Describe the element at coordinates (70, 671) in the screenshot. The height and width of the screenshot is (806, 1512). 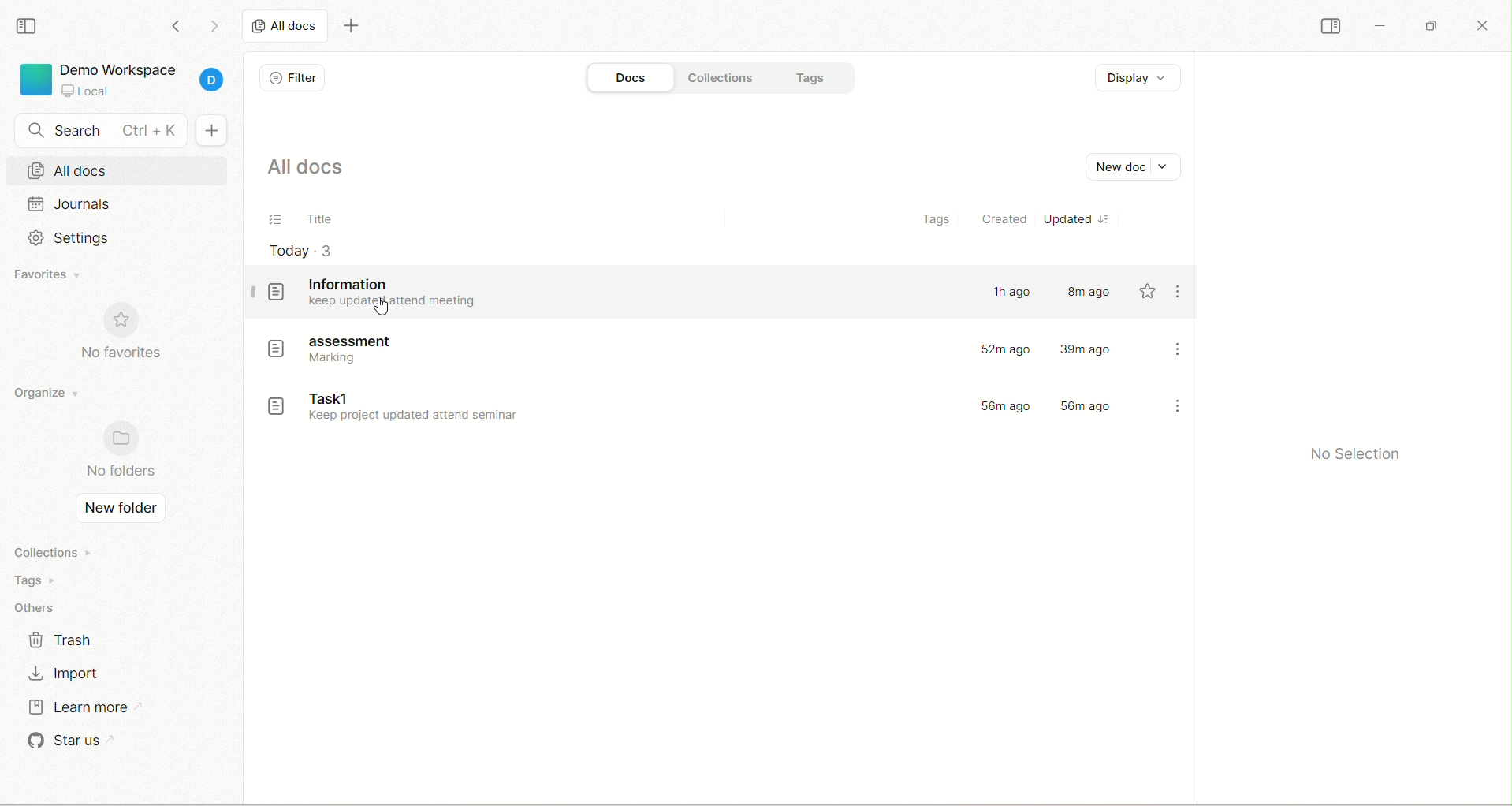
I see `import` at that location.